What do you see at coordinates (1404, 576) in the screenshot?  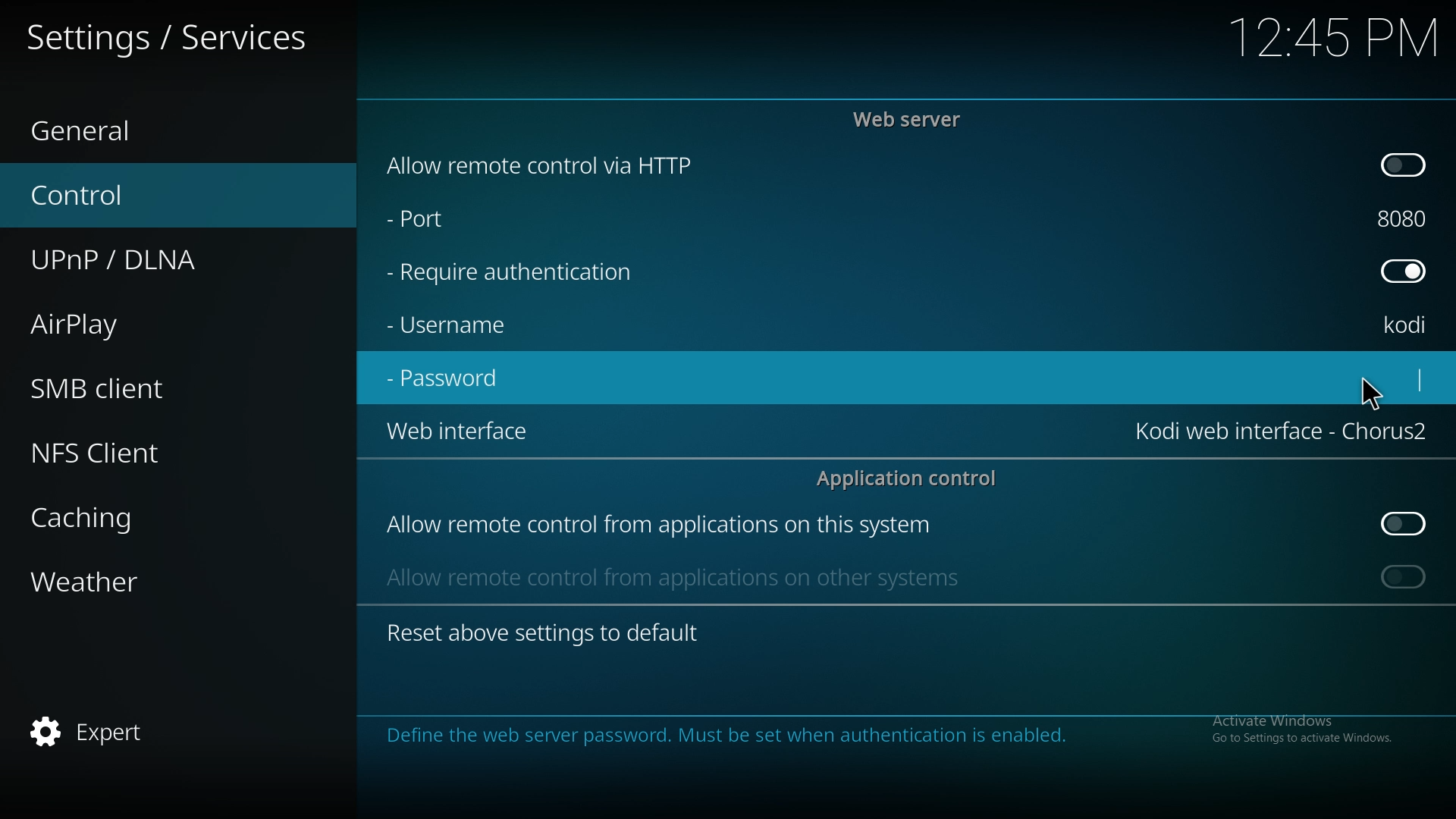 I see `on` at bounding box center [1404, 576].